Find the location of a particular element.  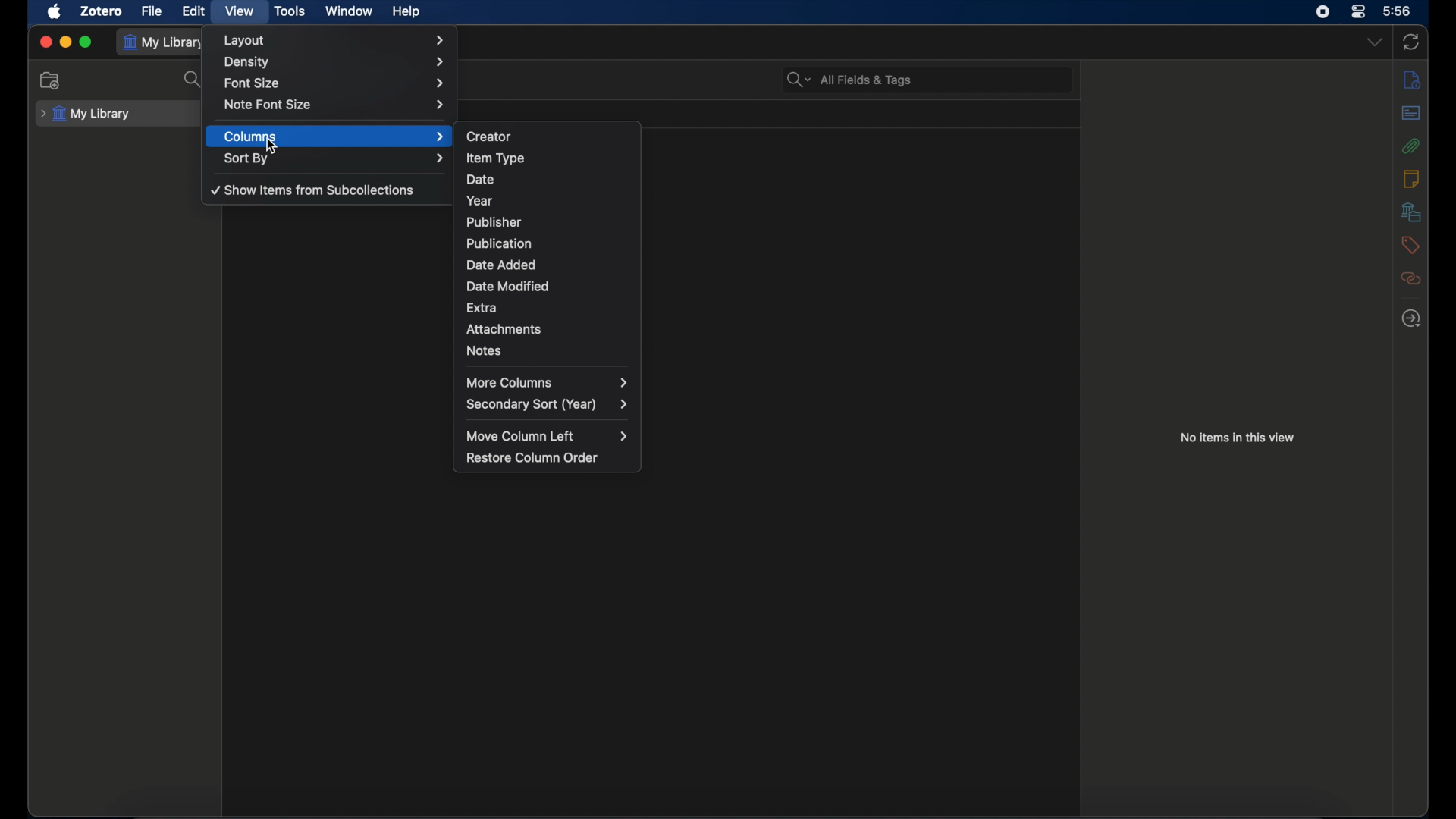

view is located at coordinates (238, 11).